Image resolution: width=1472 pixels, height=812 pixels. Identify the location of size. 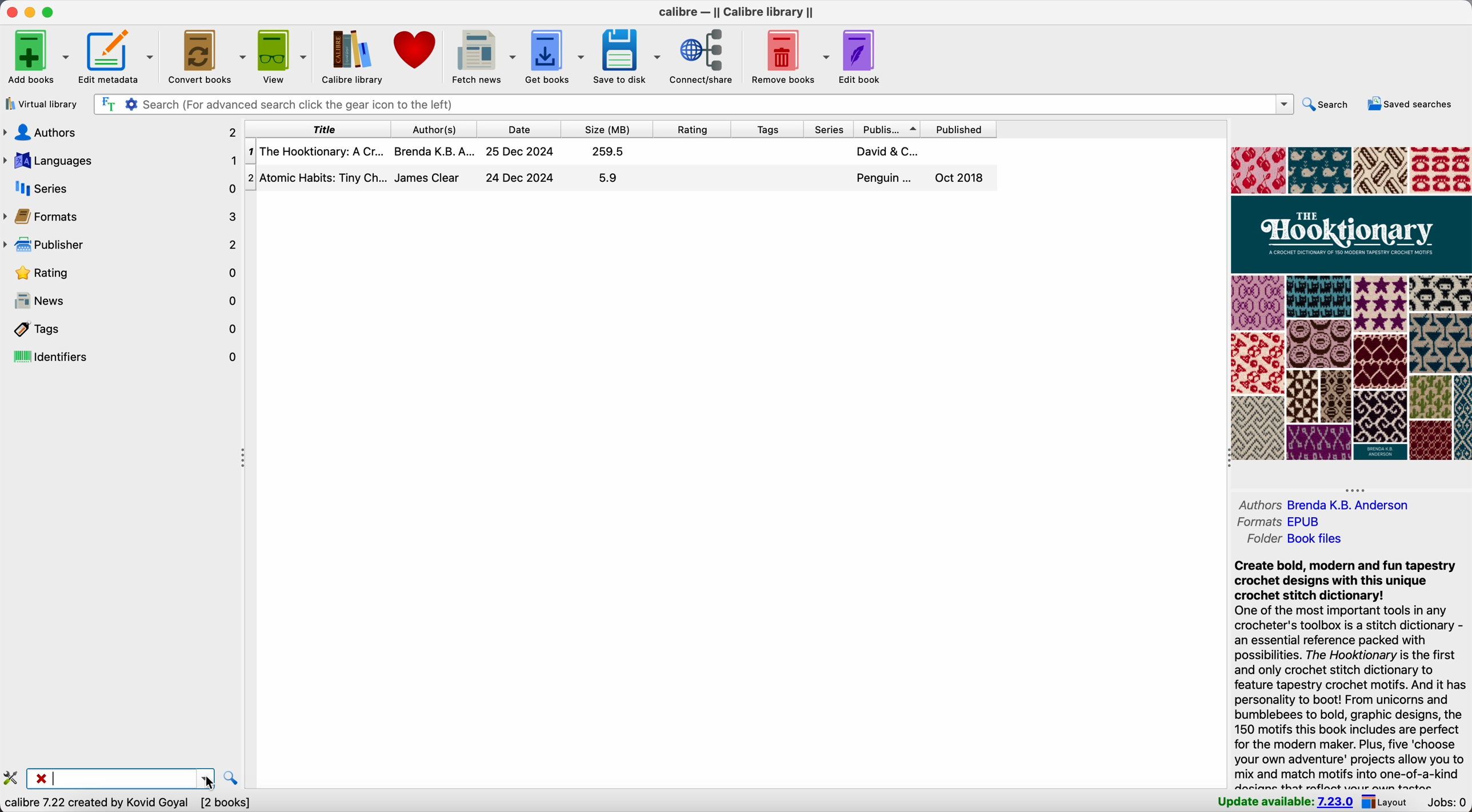
(609, 129).